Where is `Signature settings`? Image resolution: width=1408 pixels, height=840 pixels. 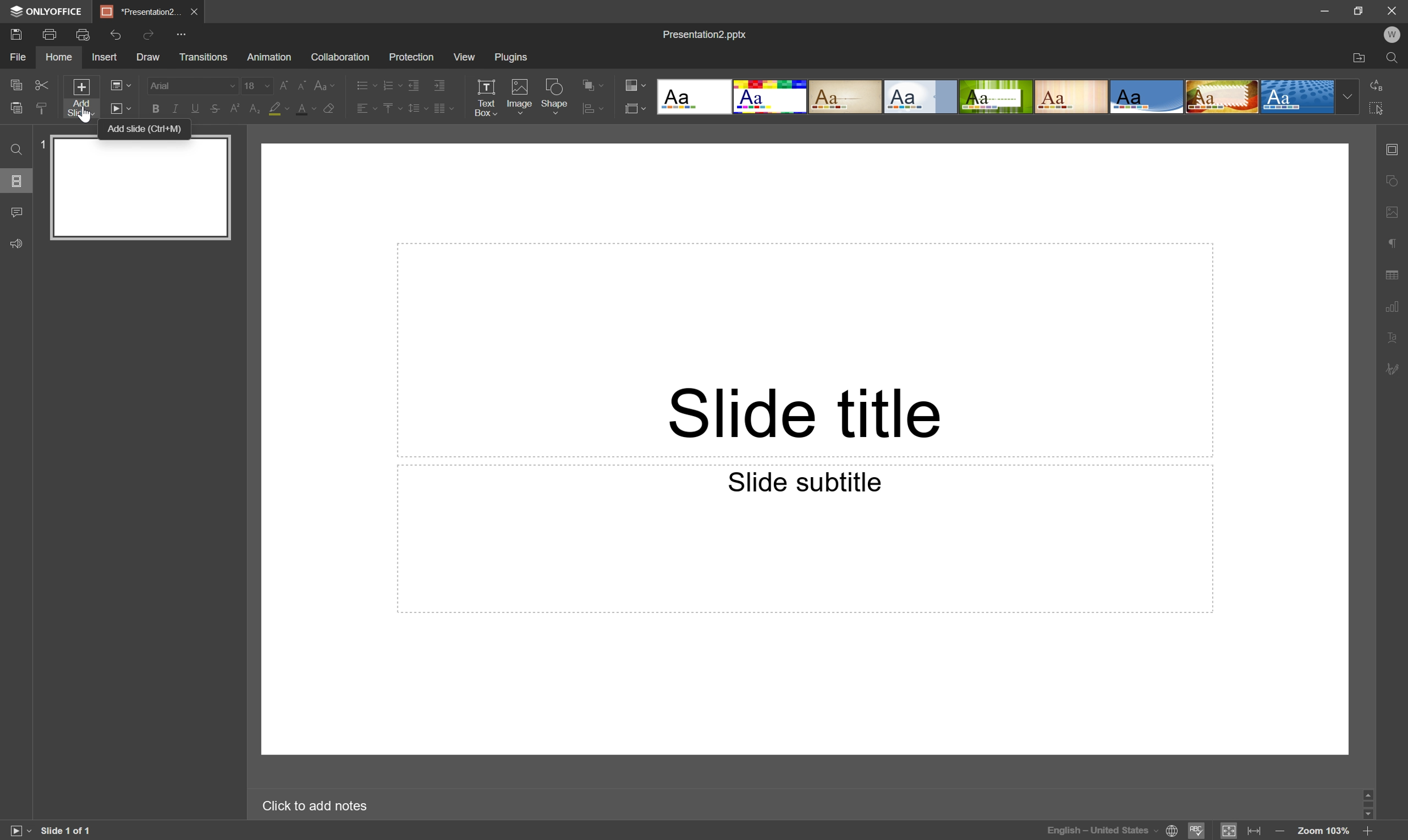 Signature settings is located at coordinates (1397, 368).